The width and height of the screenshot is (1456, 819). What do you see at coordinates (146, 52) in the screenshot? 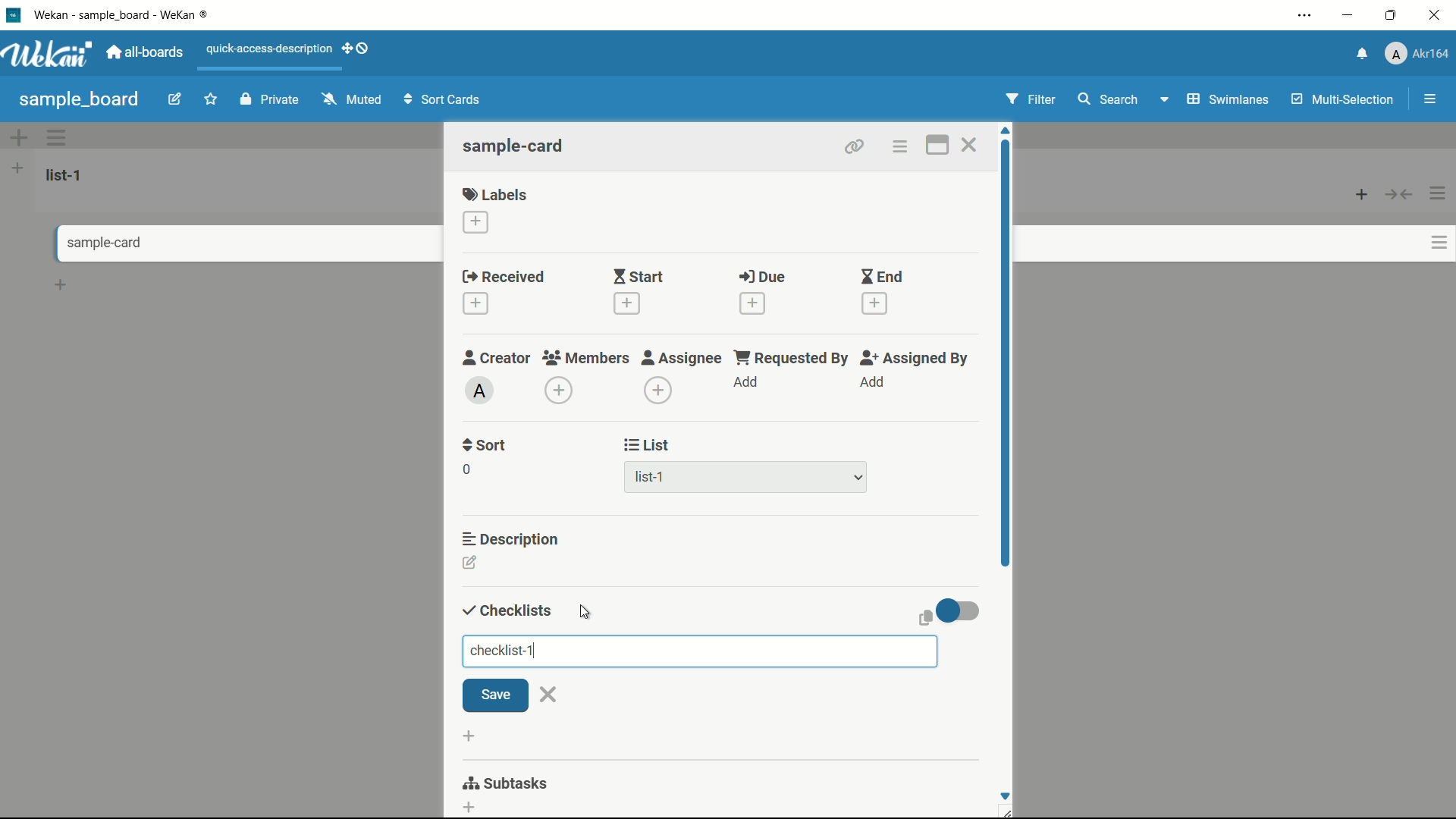
I see `all boards` at bounding box center [146, 52].